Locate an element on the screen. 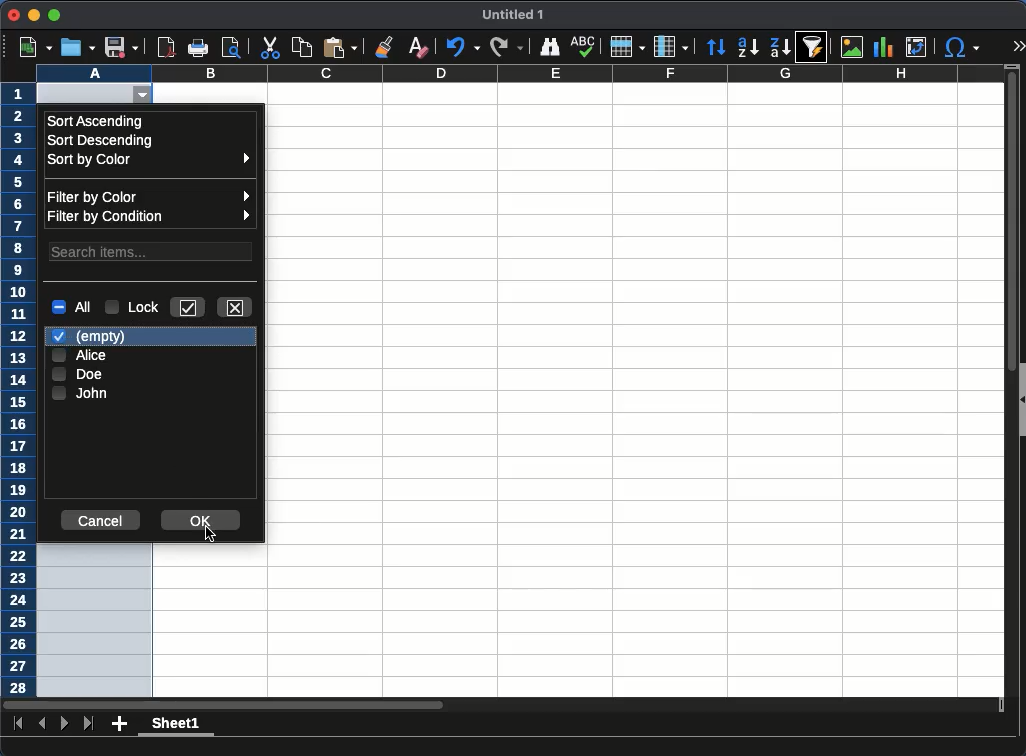 The image size is (1026, 756). finder is located at coordinates (549, 48).